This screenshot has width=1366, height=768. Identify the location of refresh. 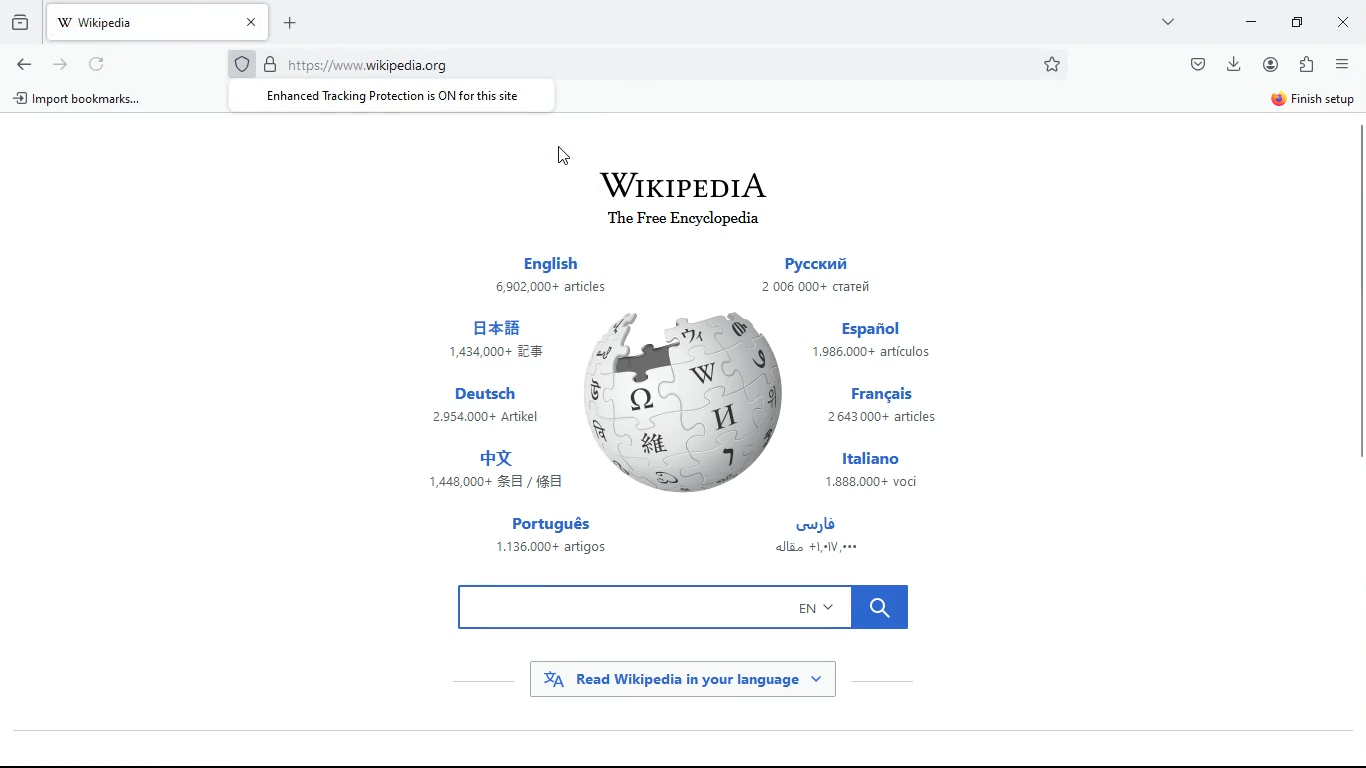
(100, 64).